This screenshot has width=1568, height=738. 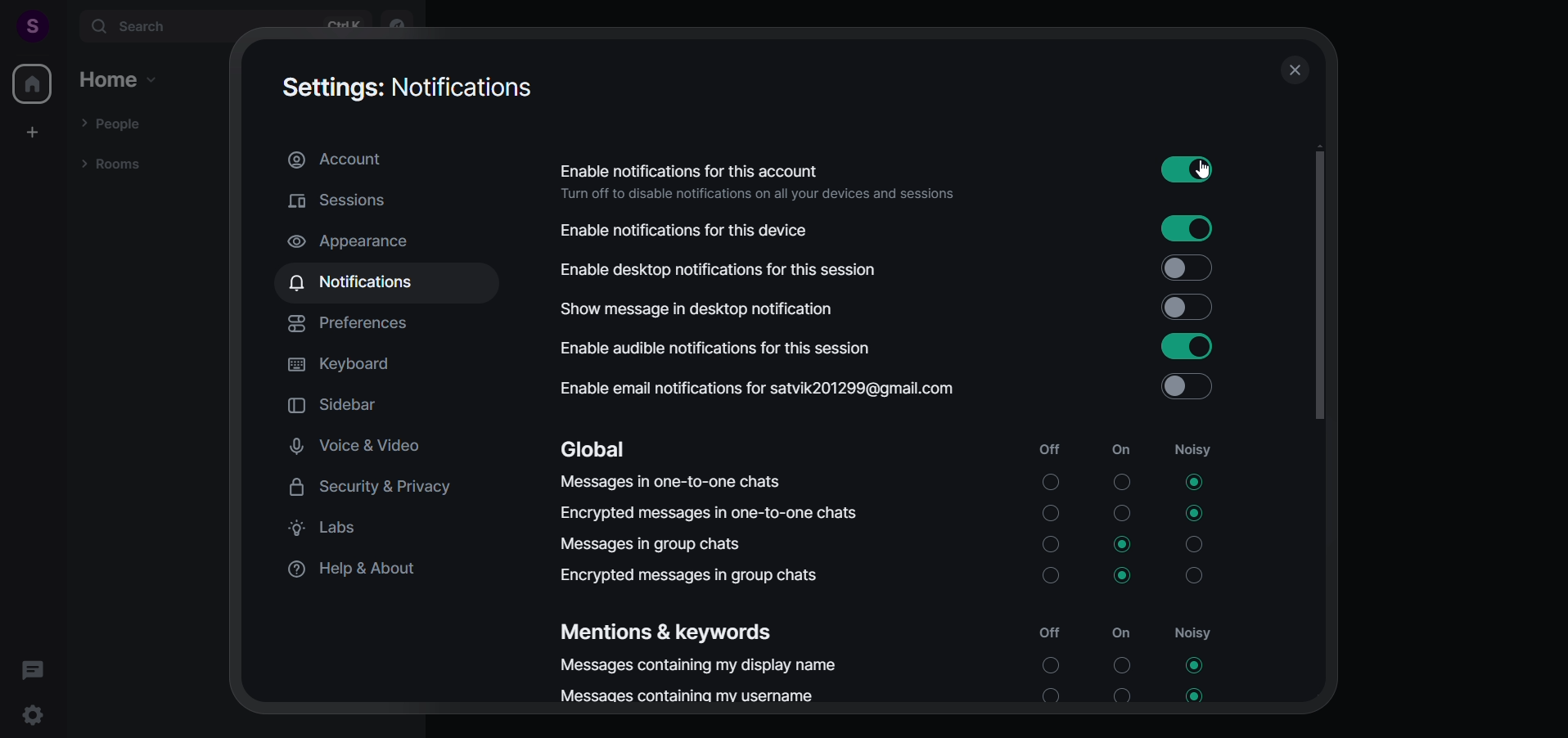 I want to click on enable notification for this account, so click(x=903, y=174).